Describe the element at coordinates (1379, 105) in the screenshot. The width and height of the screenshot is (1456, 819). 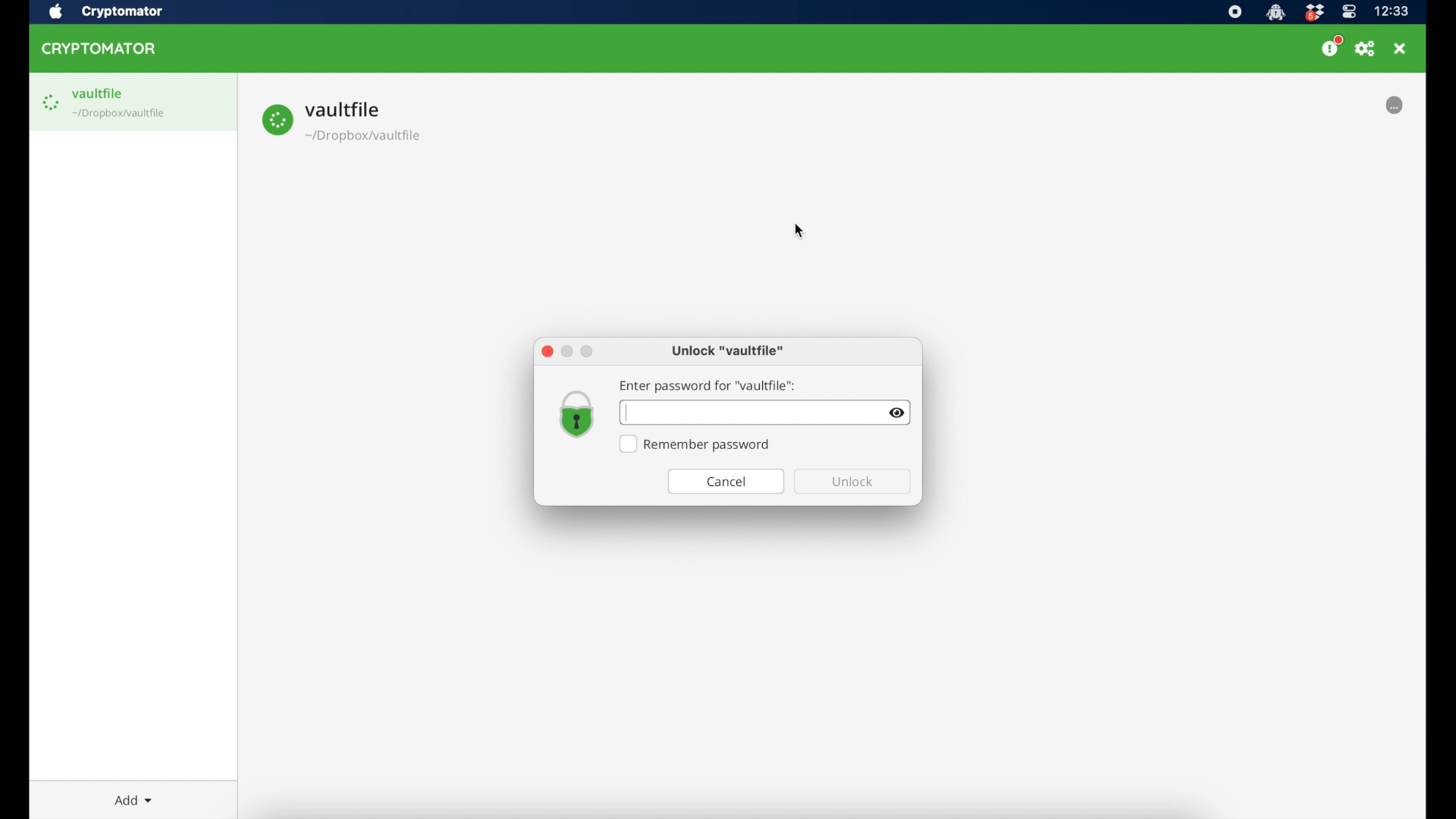
I see `locked` at that location.